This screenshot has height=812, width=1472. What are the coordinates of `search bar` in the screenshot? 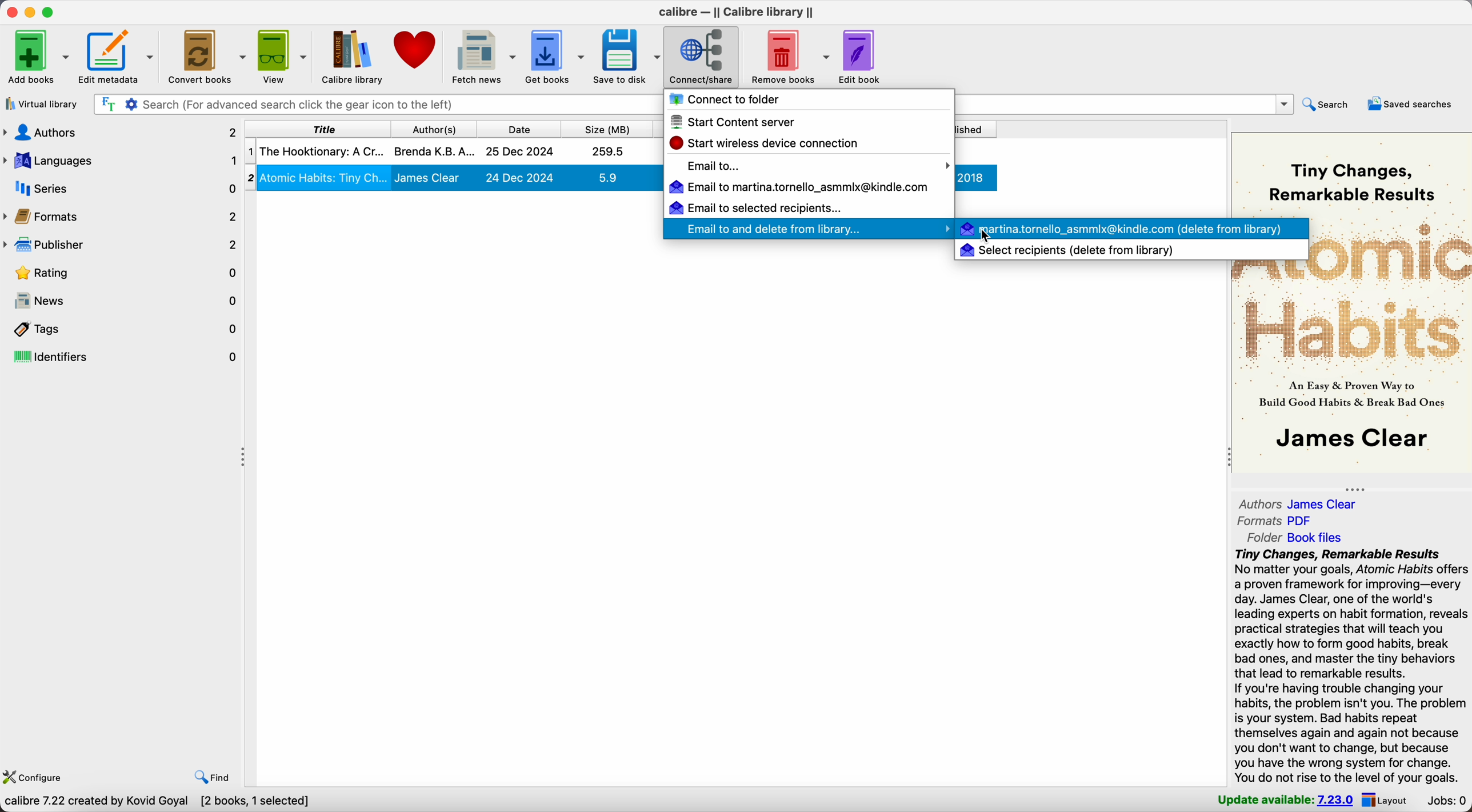 It's located at (1123, 104).